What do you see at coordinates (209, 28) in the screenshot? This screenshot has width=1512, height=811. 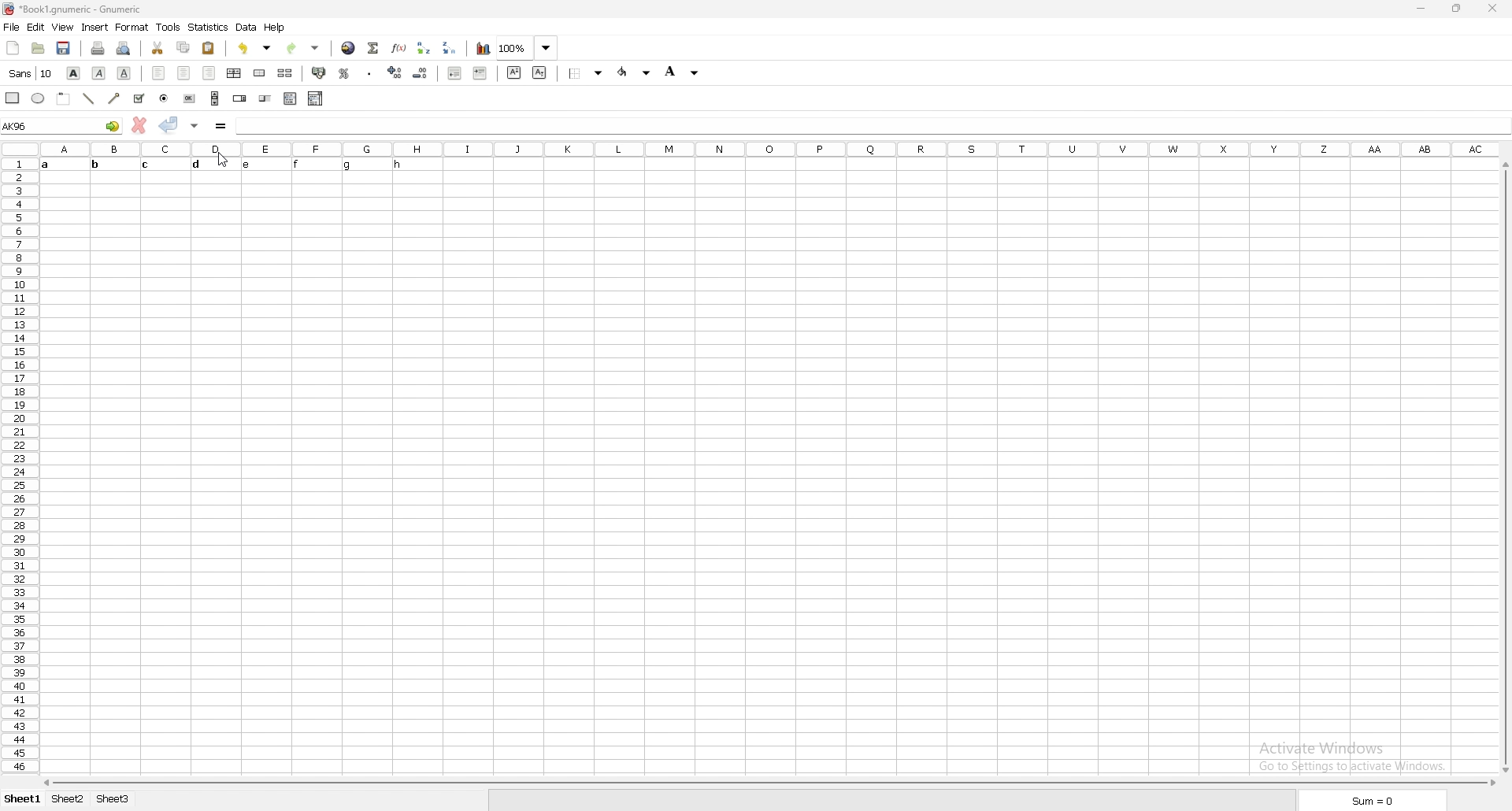 I see `statistics` at bounding box center [209, 28].